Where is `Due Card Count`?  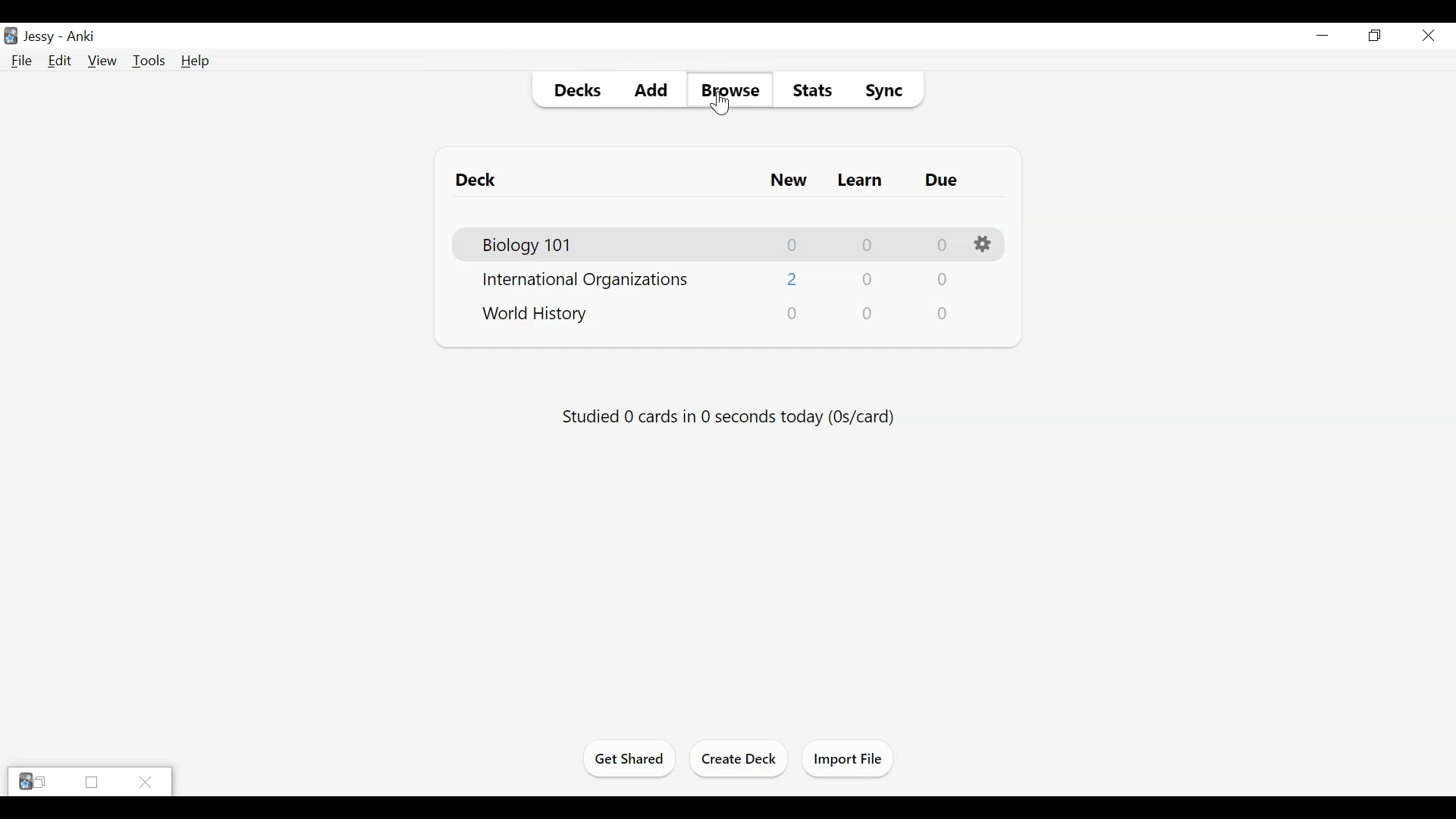 Due Card Count is located at coordinates (943, 244).